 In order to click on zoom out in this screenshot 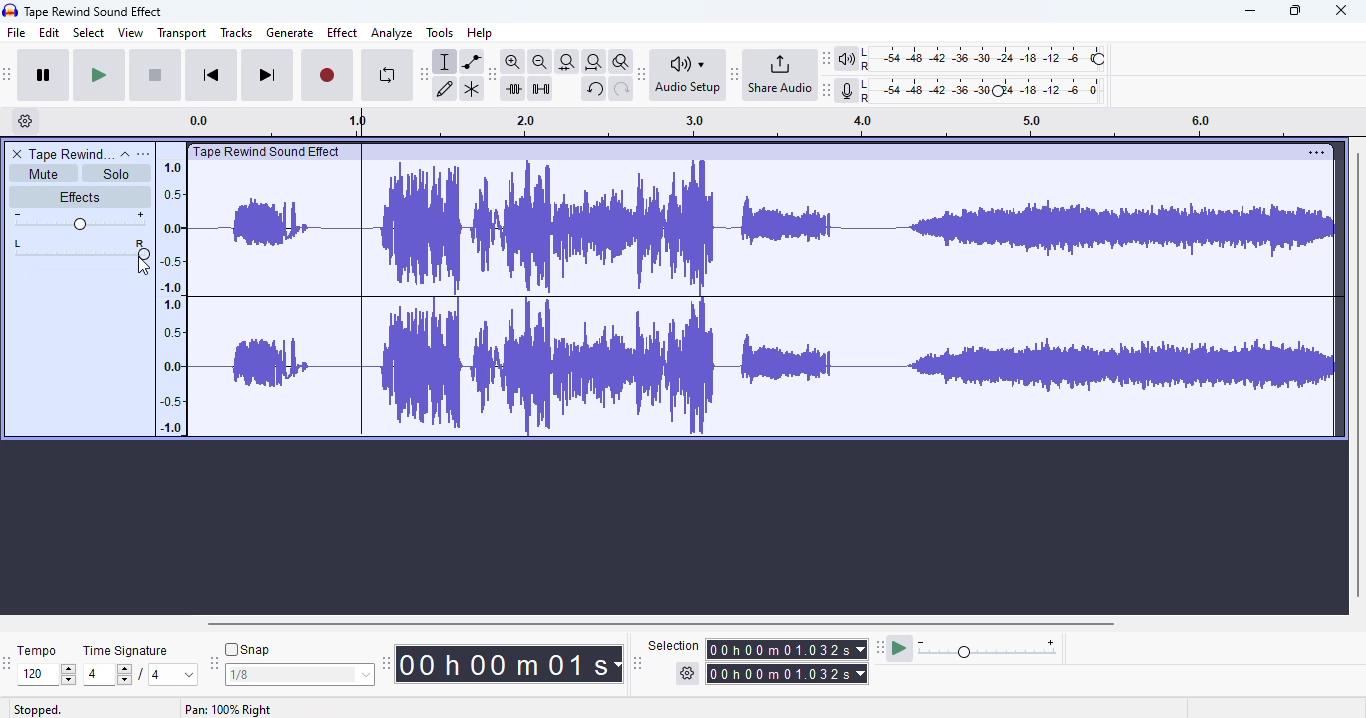, I will do `click(540, 62)`.